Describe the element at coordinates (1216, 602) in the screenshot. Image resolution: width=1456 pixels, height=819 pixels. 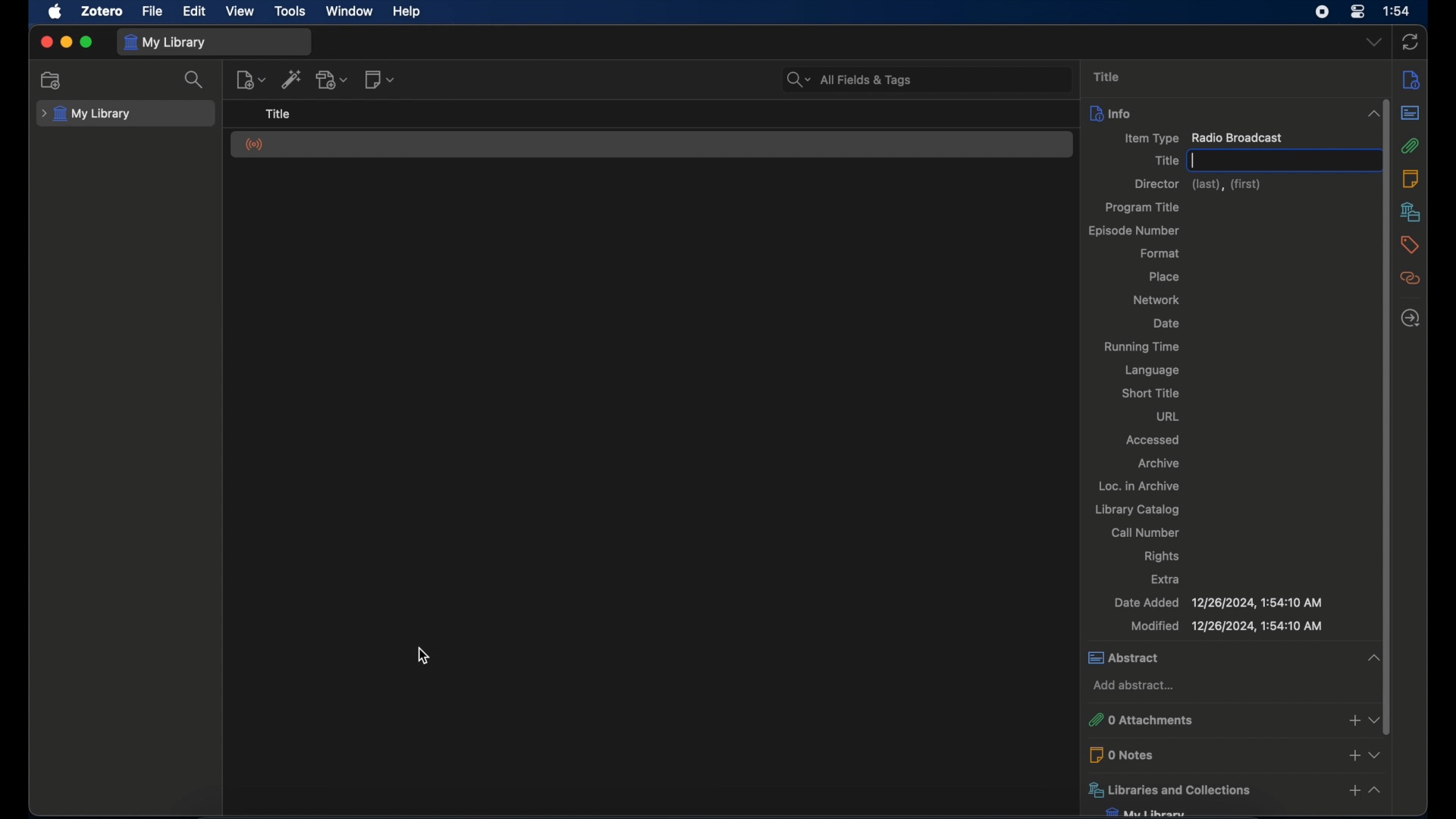
I see `date added 12/26/2024, 1:54:10 AM` at that location.